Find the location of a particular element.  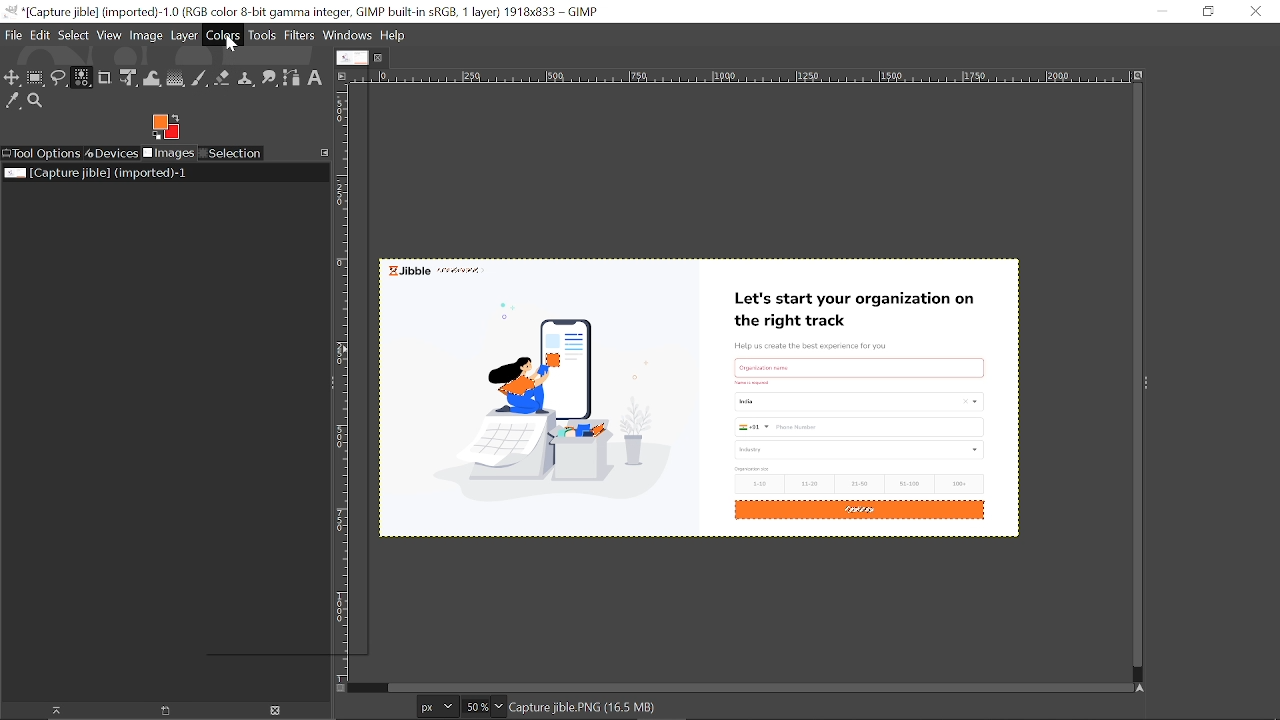

Color picker tool is located at coordinates (13, 102).